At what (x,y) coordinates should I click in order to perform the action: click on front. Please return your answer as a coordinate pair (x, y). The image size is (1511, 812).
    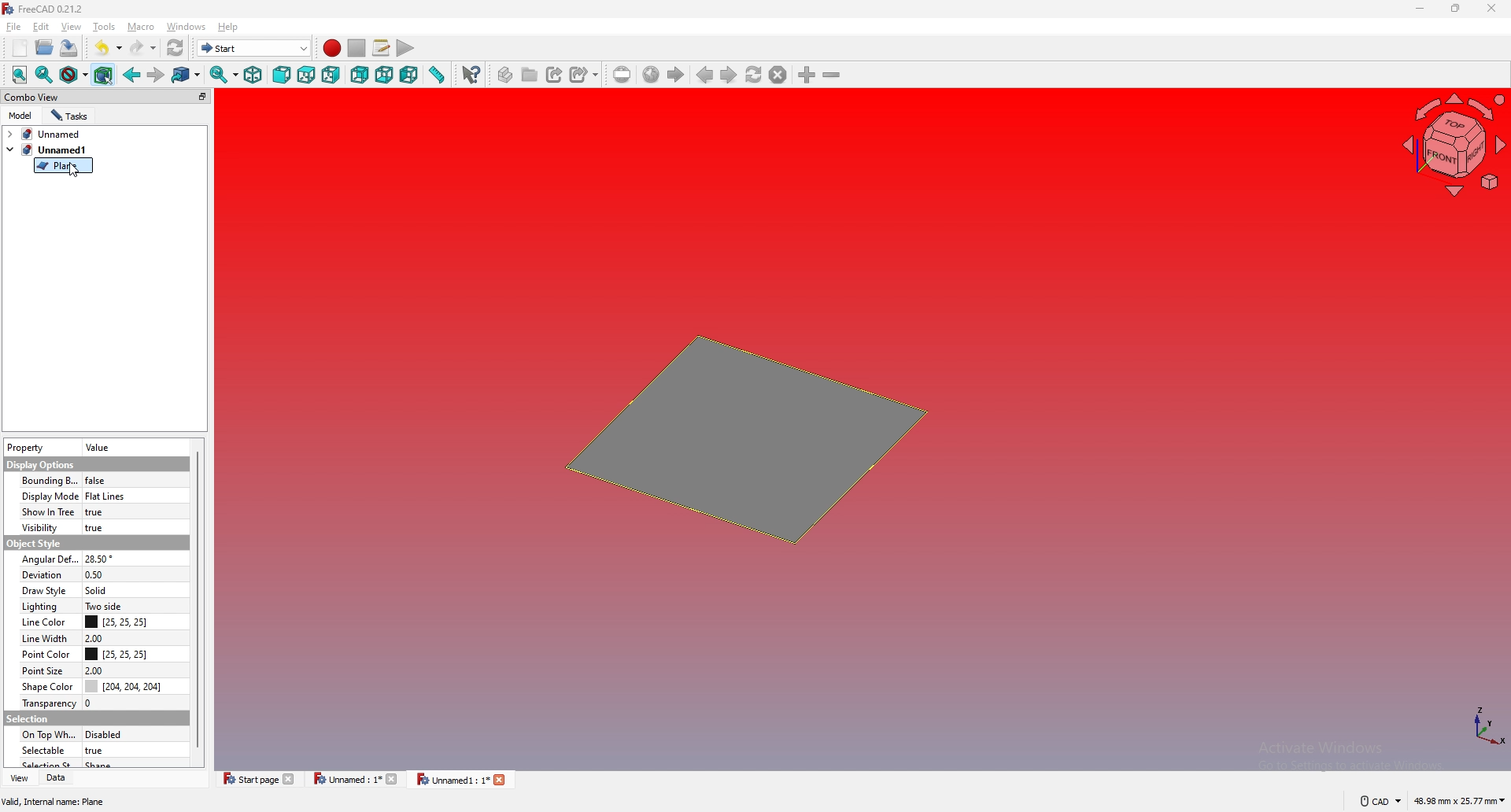
    Looking at the image, I should click on (282, 75).